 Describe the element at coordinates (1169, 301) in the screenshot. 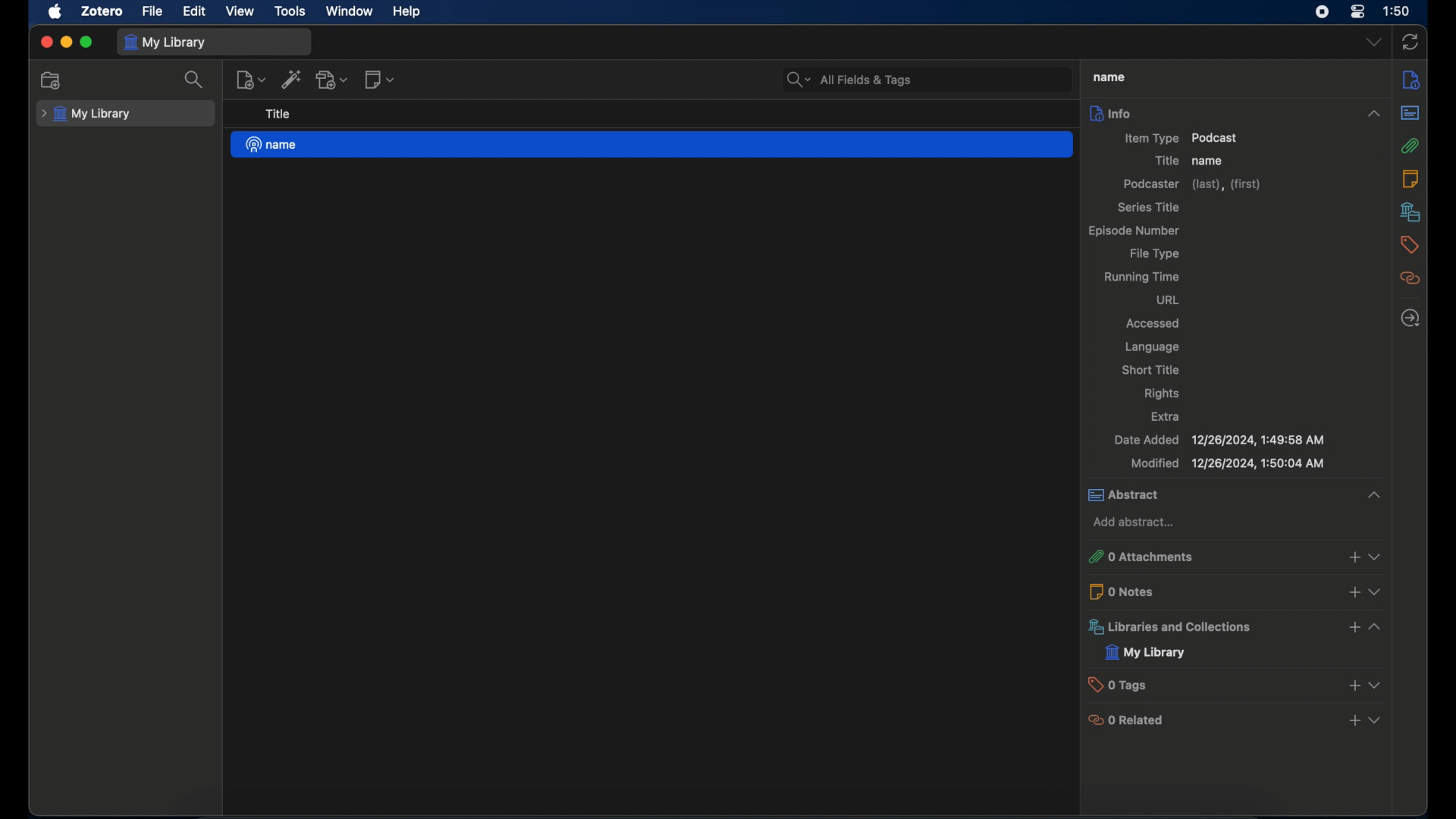

I see `url` at that location.